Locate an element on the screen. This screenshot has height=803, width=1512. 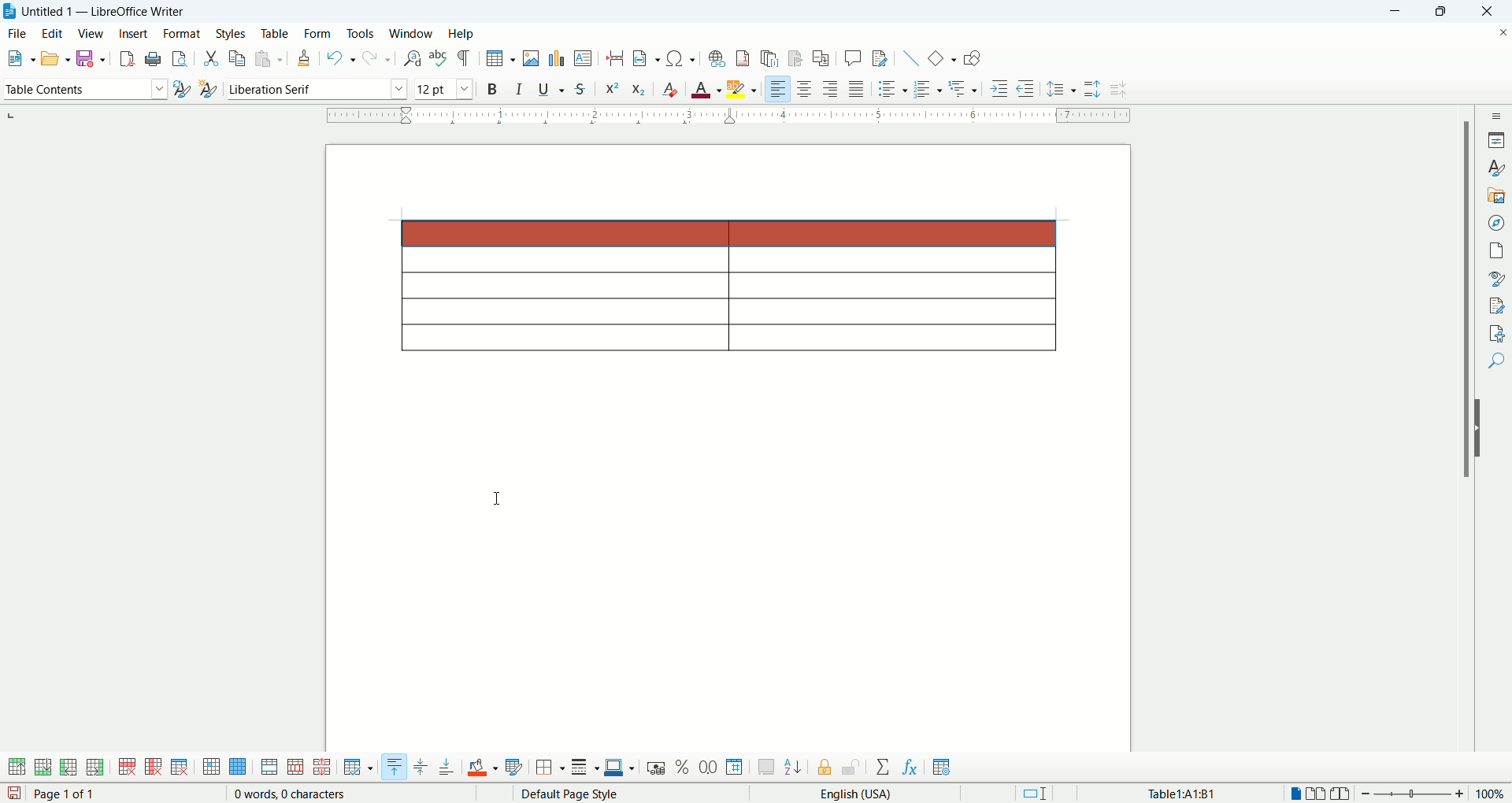
gallery is located at coordinates (1496, 196).